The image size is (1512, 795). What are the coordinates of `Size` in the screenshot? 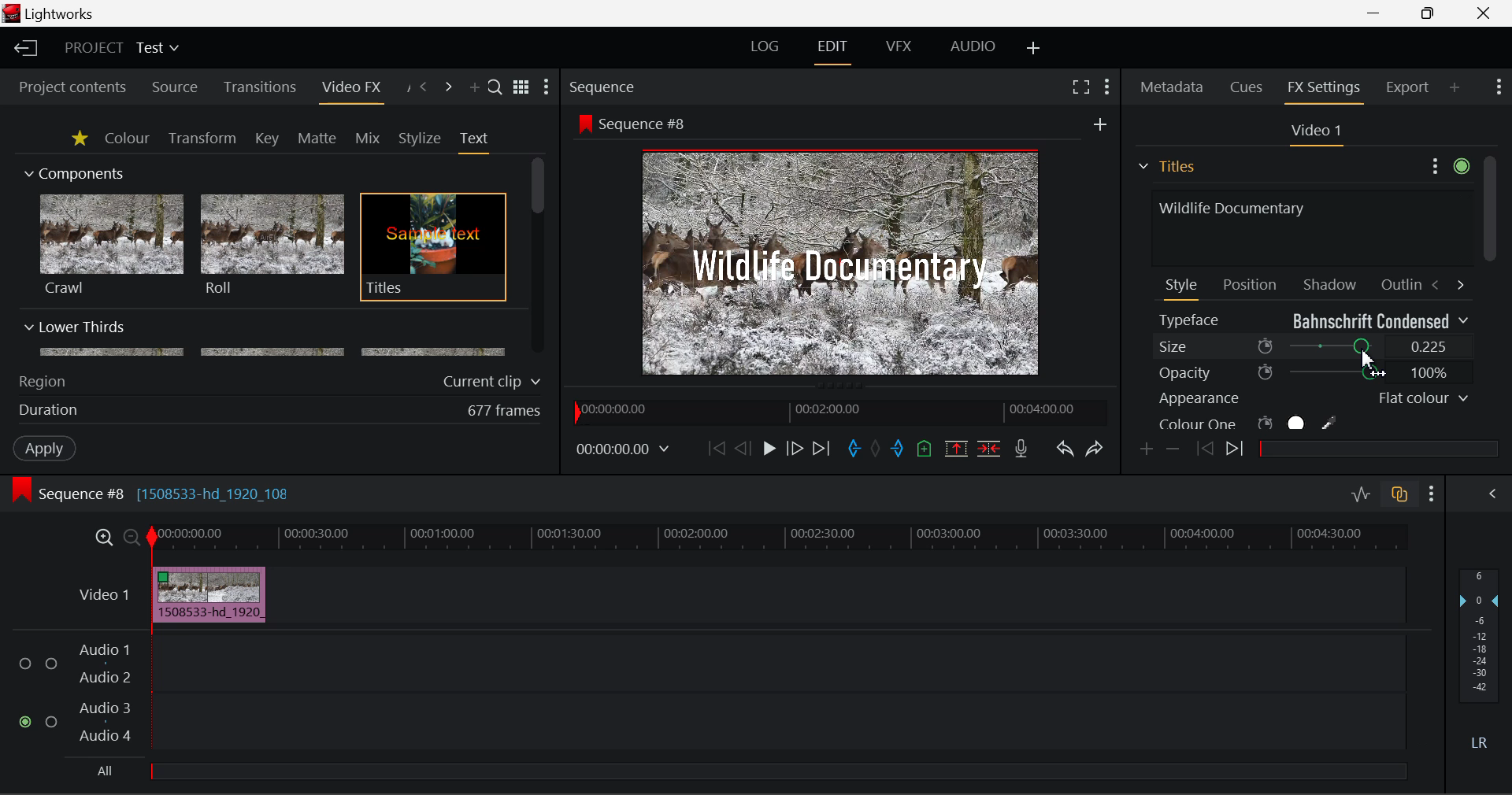 It's located at (1314, 346).